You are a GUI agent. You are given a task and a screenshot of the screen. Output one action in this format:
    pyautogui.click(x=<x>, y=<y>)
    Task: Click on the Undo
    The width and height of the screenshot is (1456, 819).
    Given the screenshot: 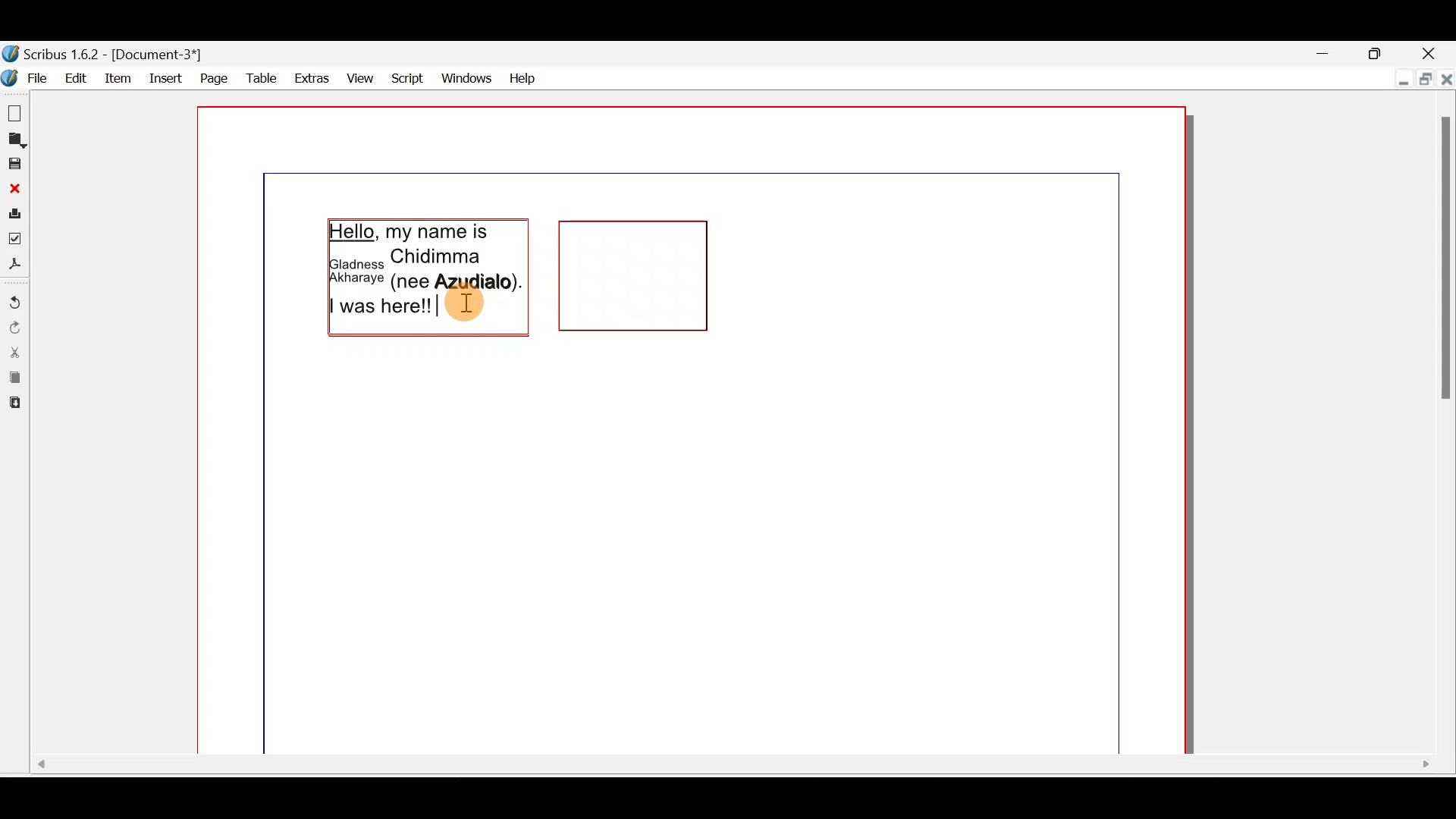 What is the action you would take?
    pyautogui.click(x=15, y=297)
    